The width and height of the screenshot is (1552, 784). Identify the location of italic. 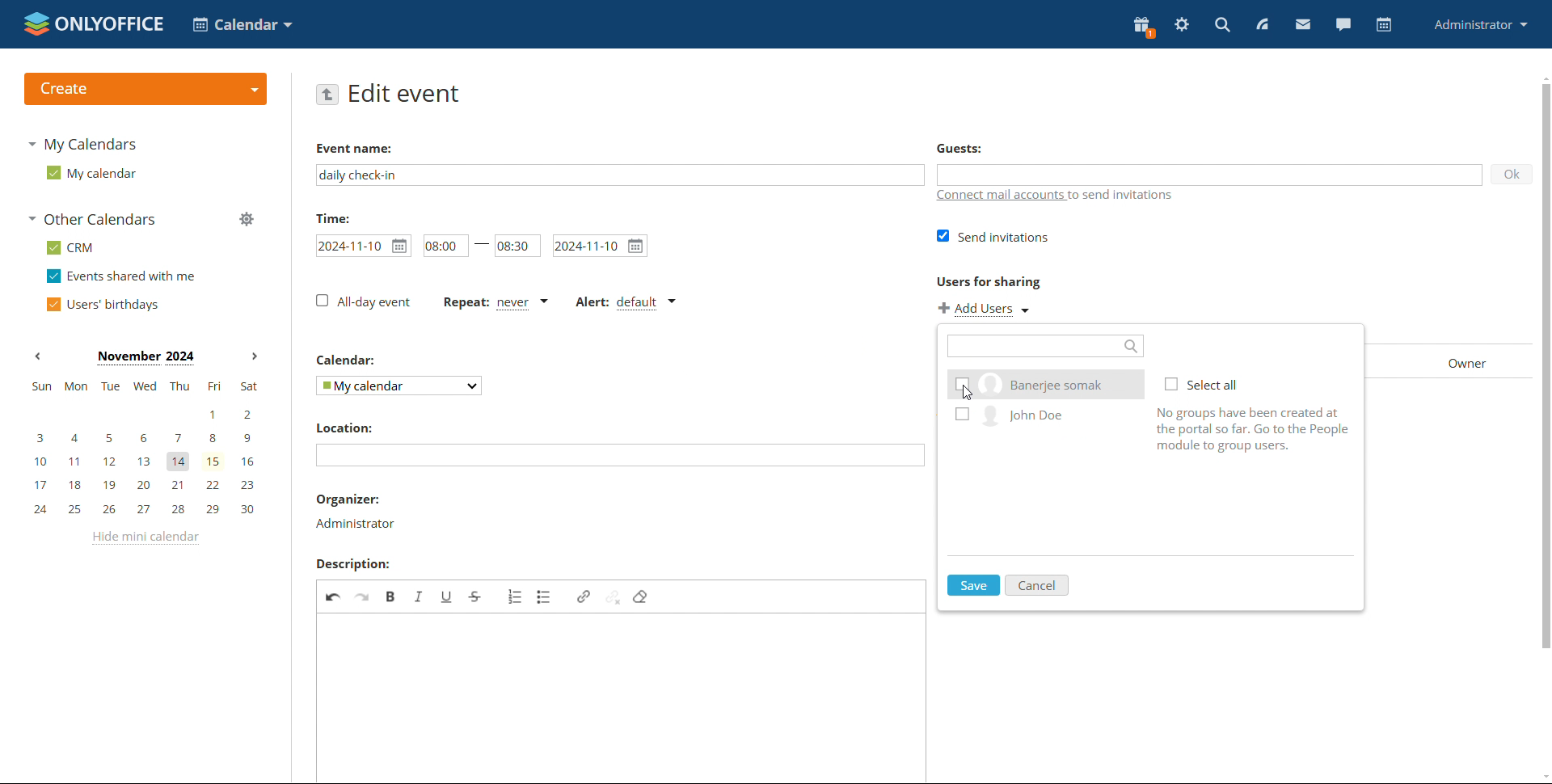
(420, 596).